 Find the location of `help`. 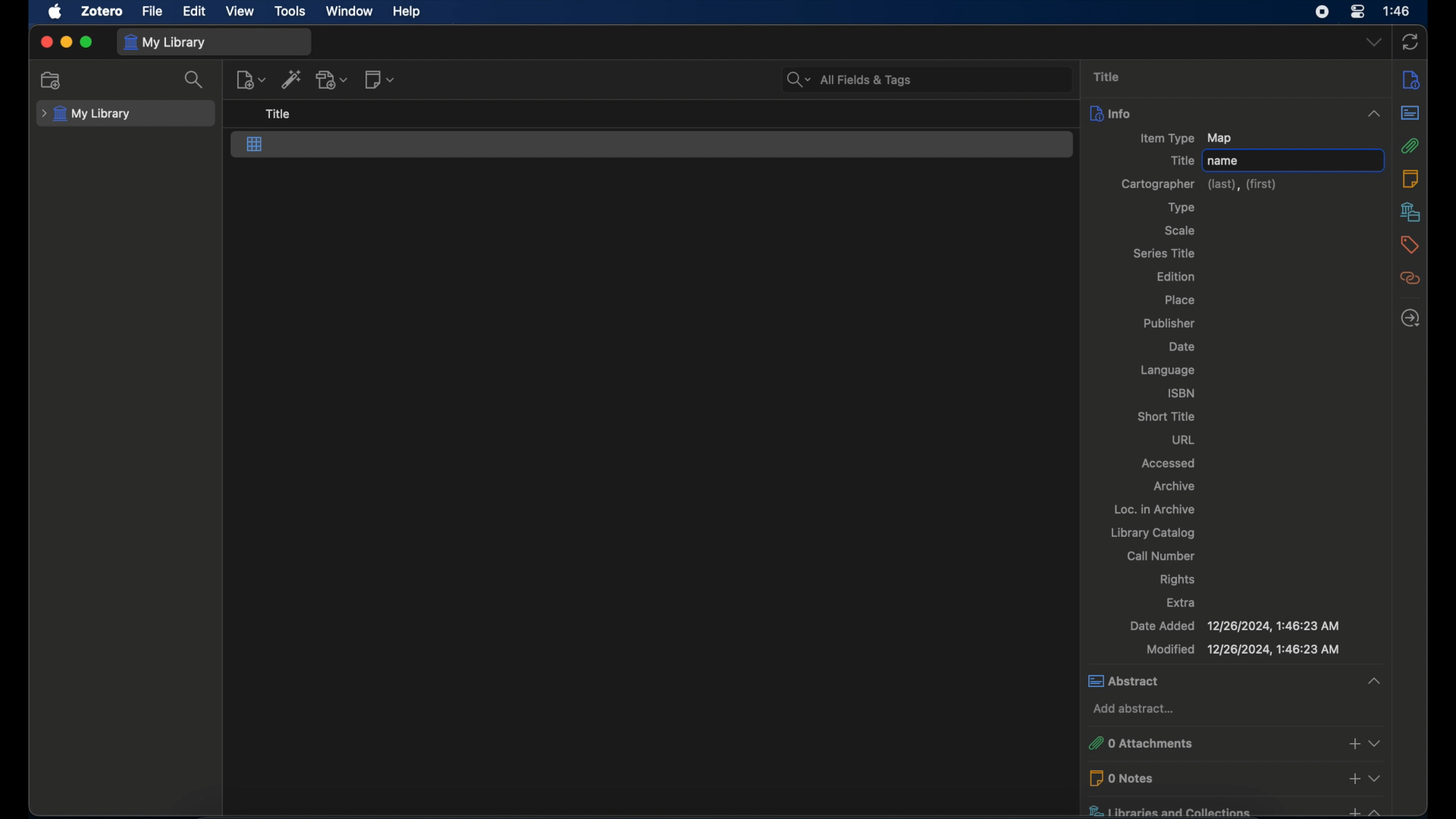

help is located at coordinates (406, 11).